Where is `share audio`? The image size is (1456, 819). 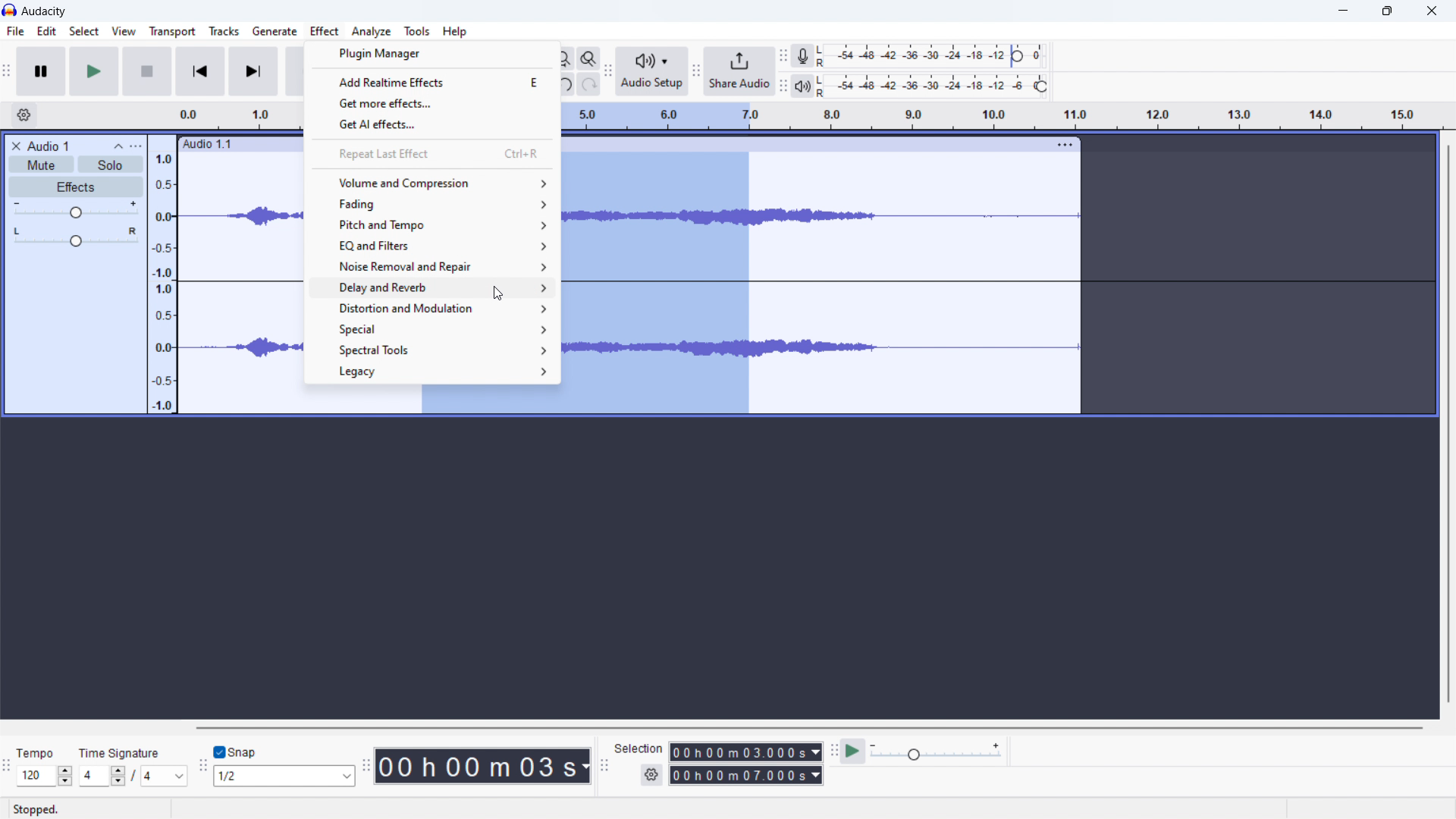 share audio is located at coordinates (740, 72).